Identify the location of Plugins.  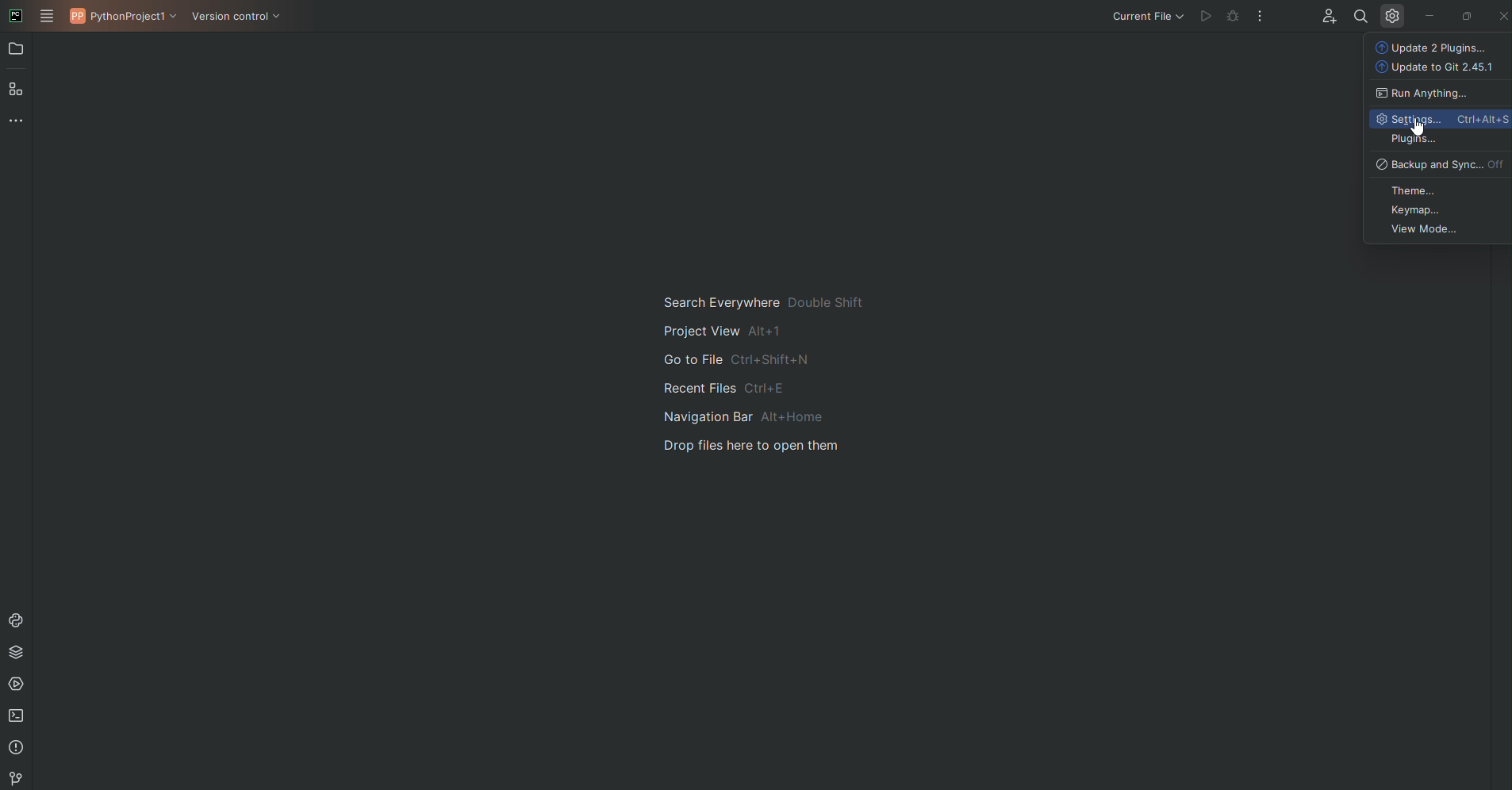
(1404, 141).